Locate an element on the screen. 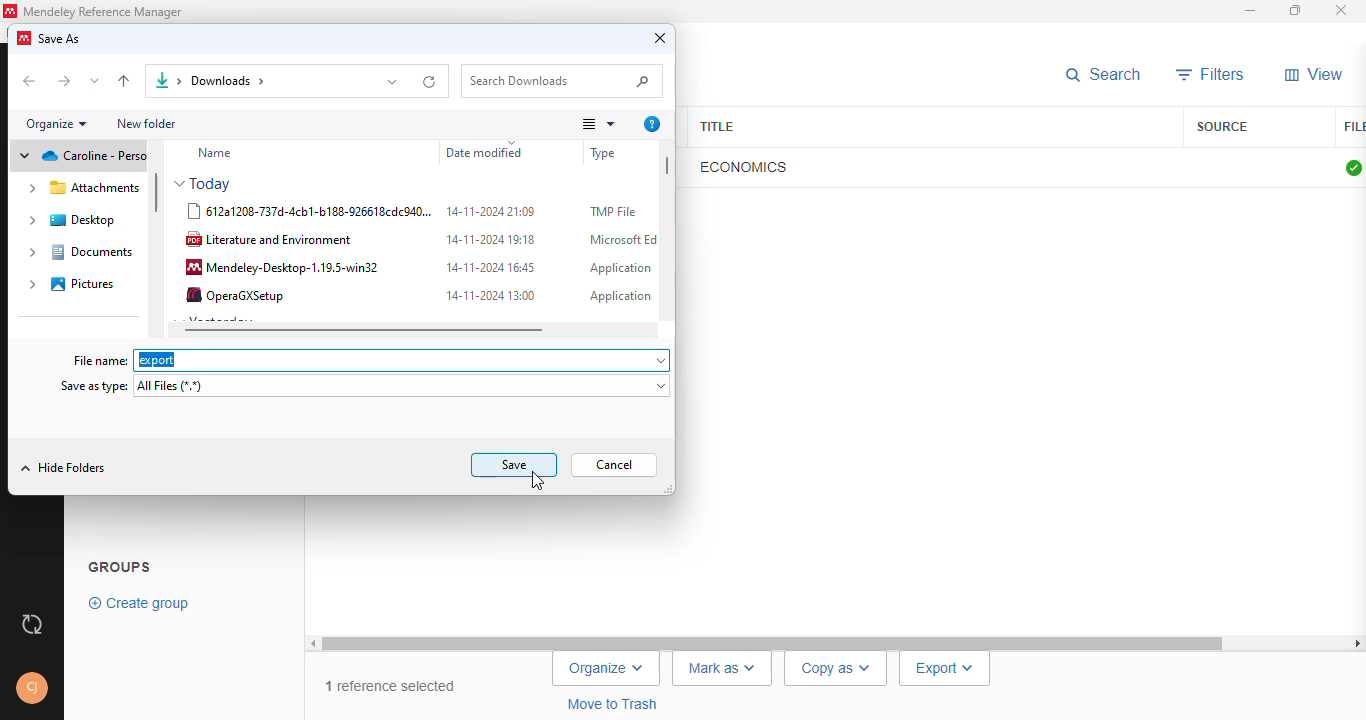 Image resolution: width=1366 pixels, height=720 pixels. back is located at coordinates (28, 81).